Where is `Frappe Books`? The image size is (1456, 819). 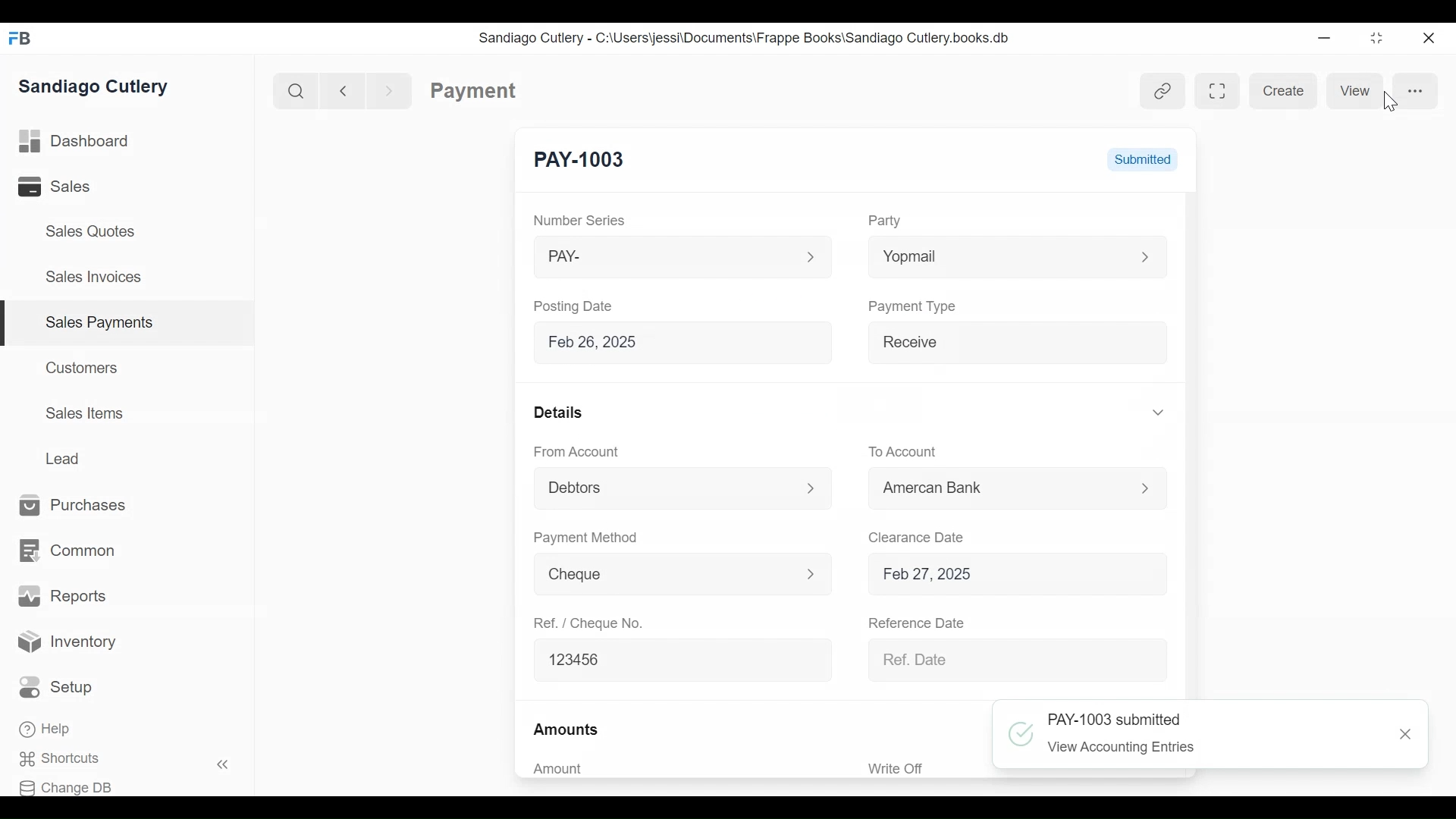
Frappe Books is located at coordinates (21, 38).